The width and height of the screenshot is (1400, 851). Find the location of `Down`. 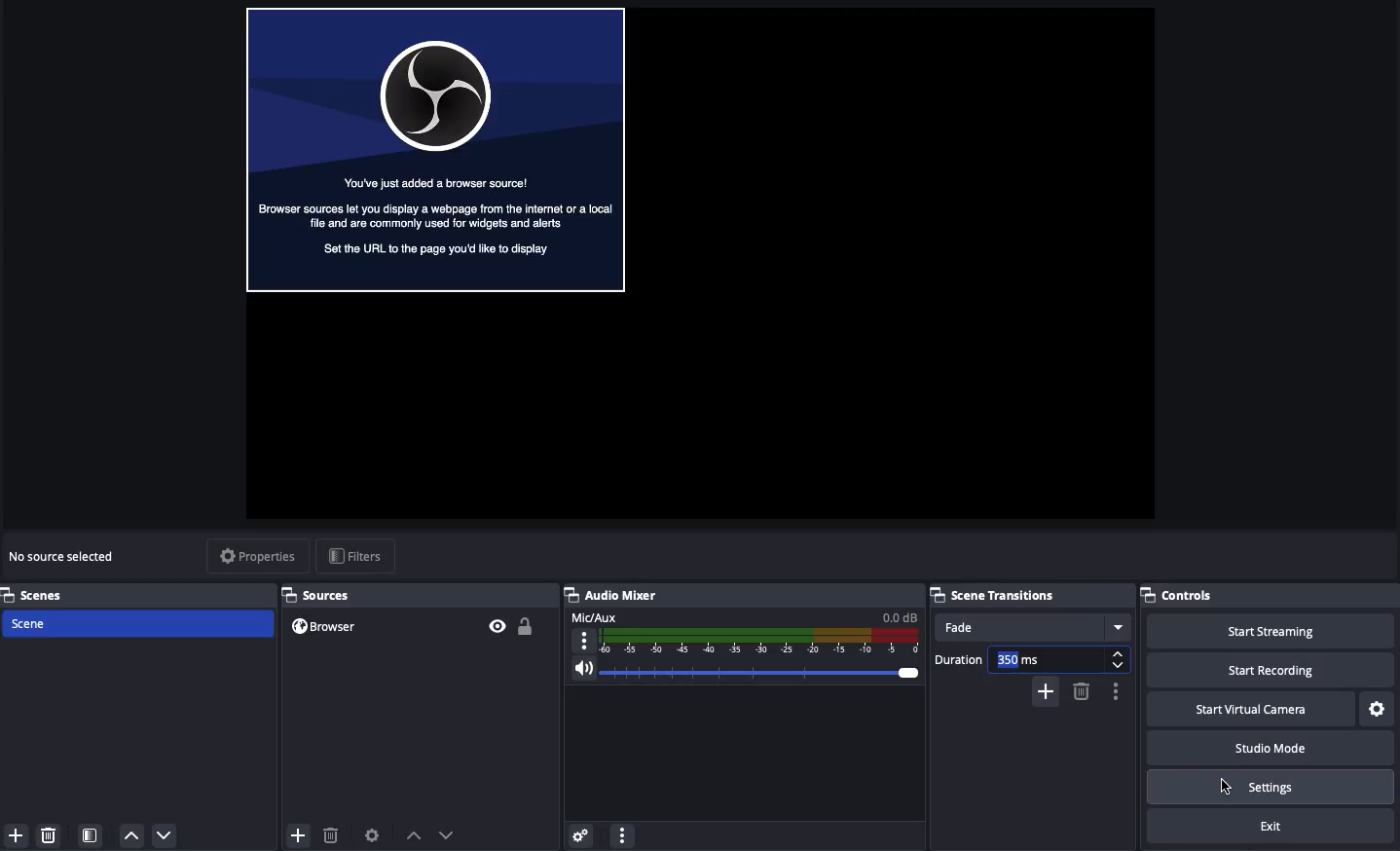

Down is located at coordinates (166, 834).